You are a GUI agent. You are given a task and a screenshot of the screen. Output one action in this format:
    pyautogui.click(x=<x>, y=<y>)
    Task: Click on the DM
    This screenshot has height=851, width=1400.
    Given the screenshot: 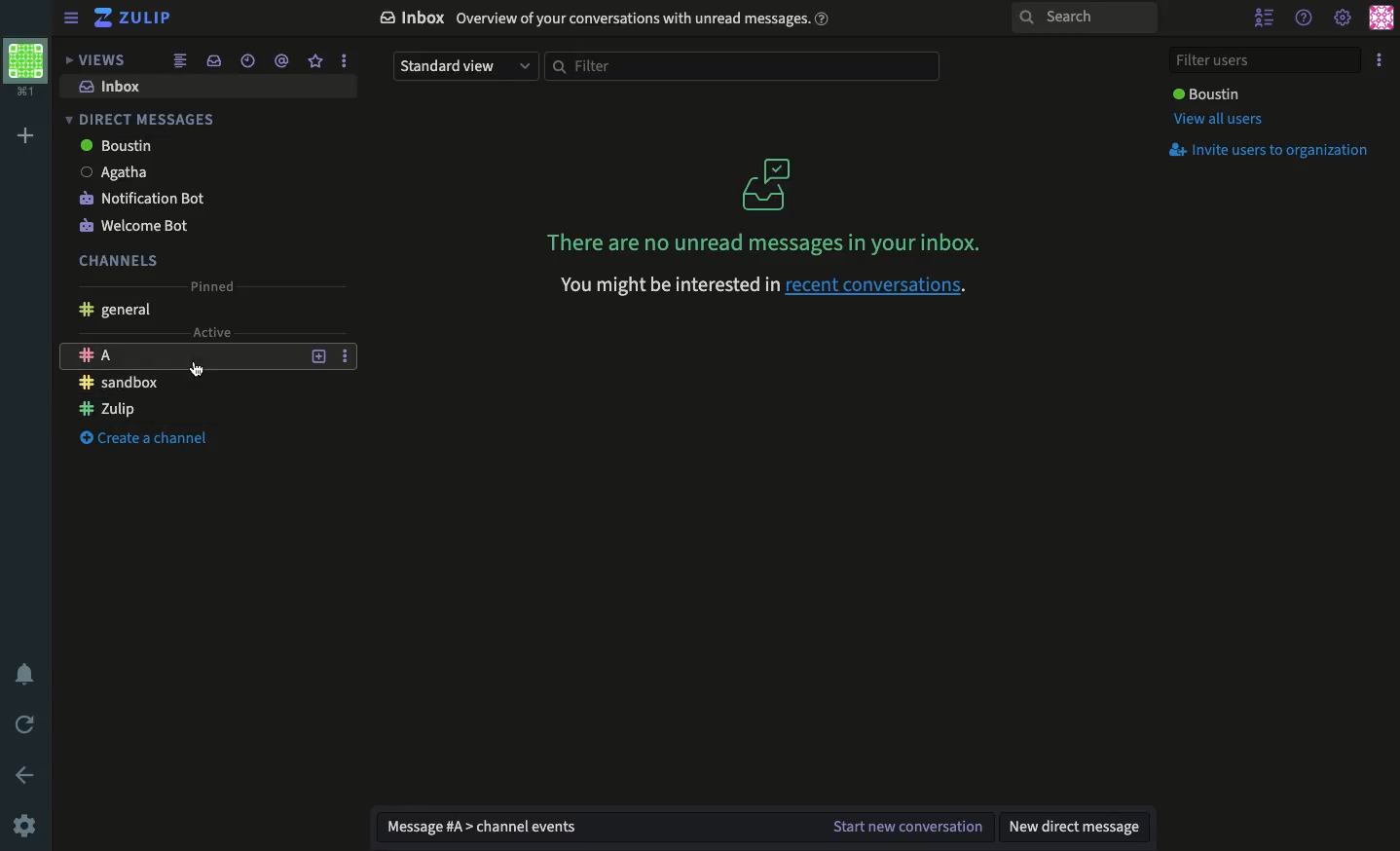 What is the action you would take?
    pyautogui.click(x=140, y=116)
    